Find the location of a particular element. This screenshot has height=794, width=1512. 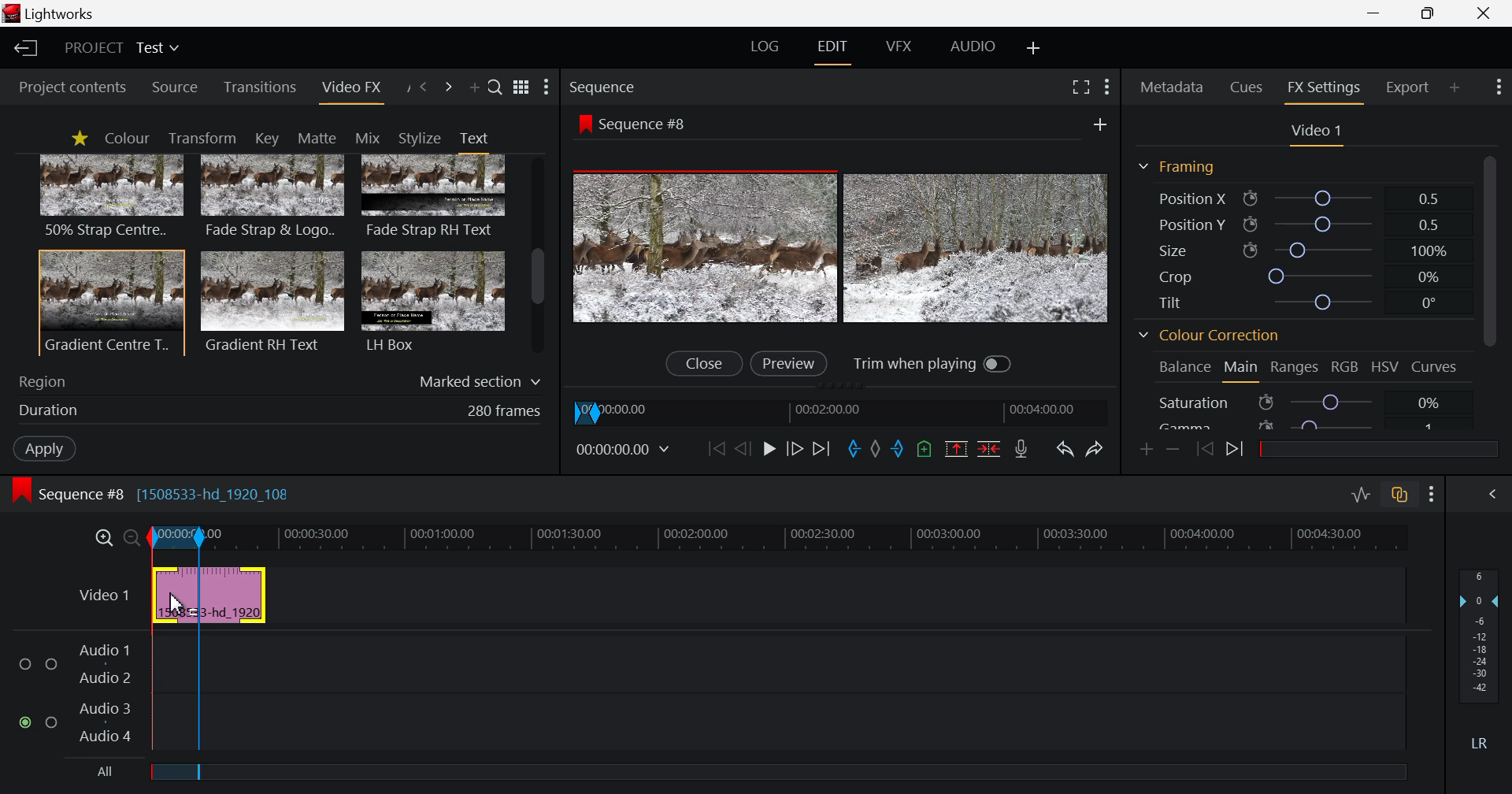

Show Settings is located at coordinates (1496, 87).